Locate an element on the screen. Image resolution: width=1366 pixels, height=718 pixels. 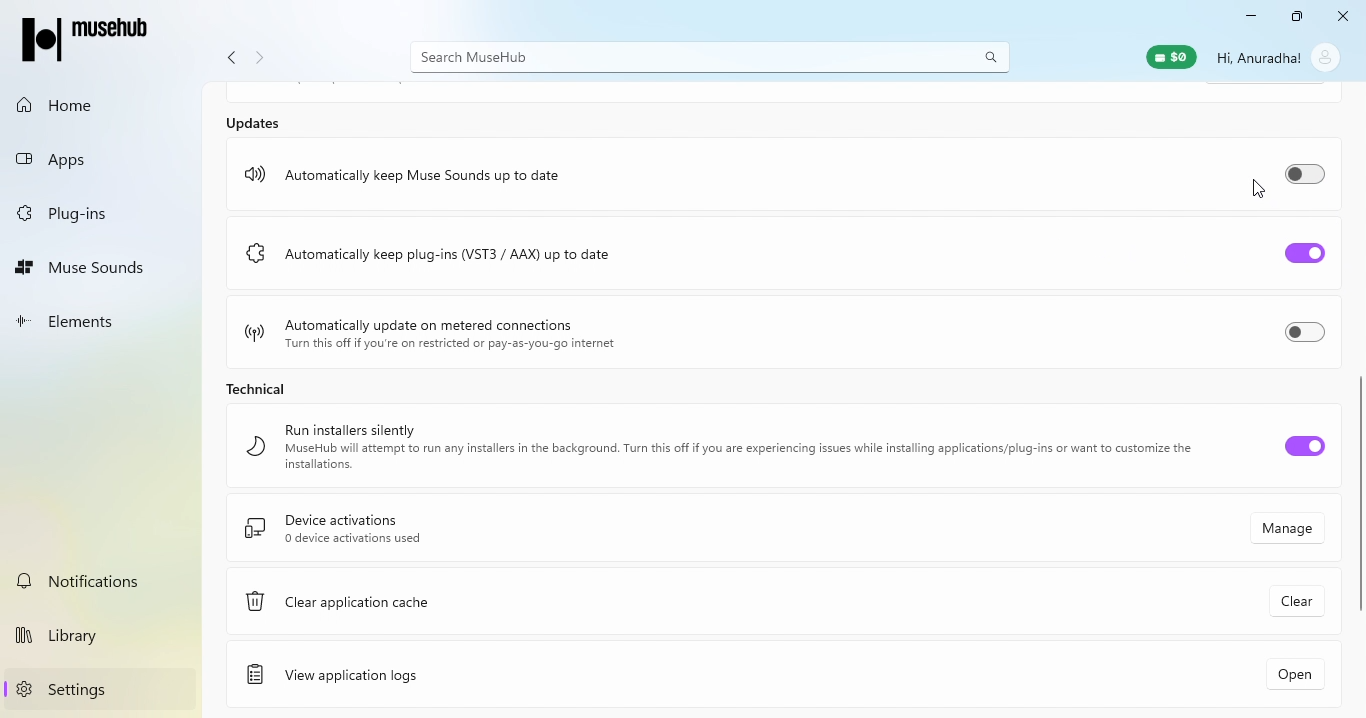
Toggle is located at coordinates (1301, 452).